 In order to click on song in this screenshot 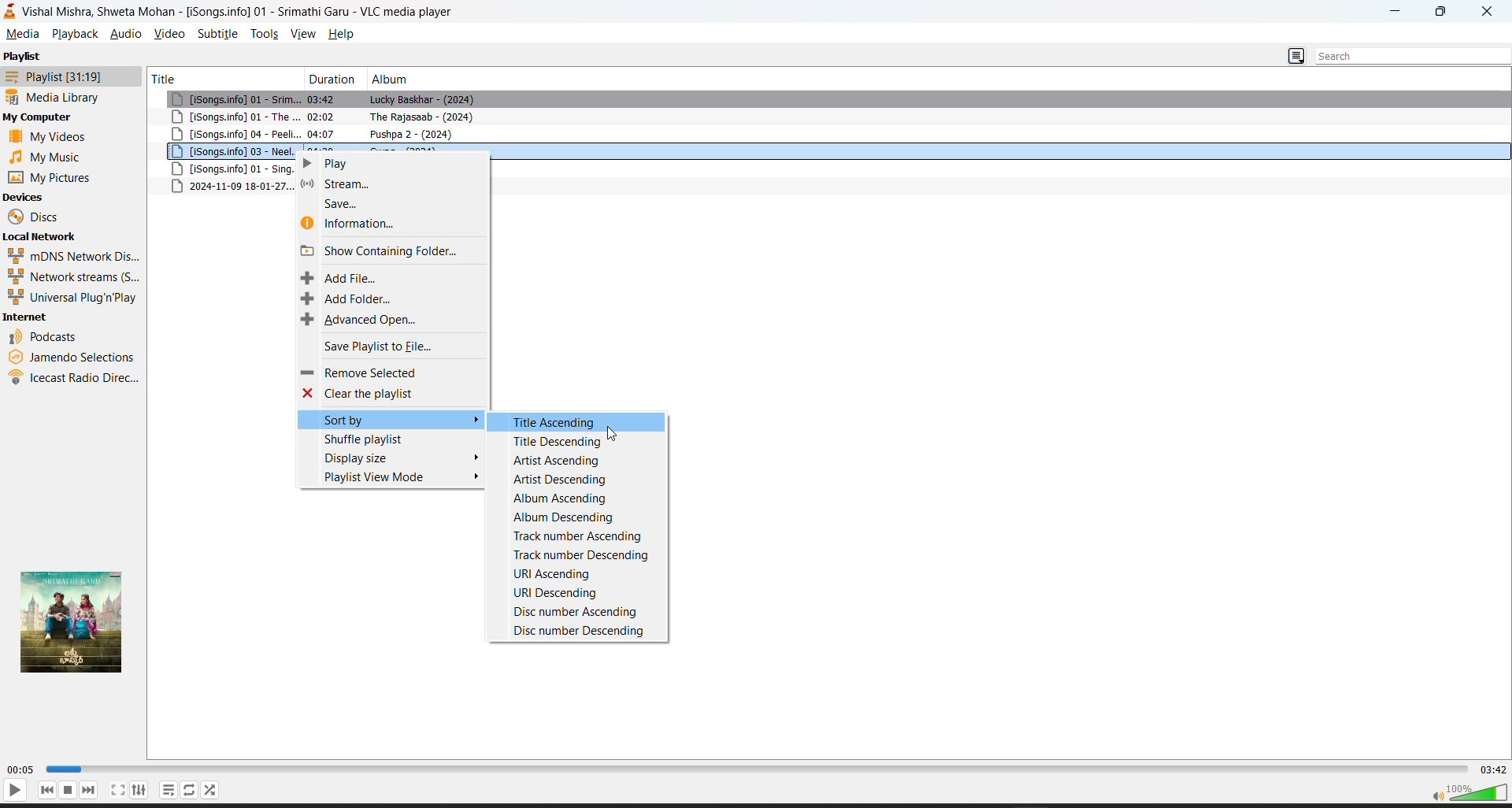, I will do `click(828, 98)`.